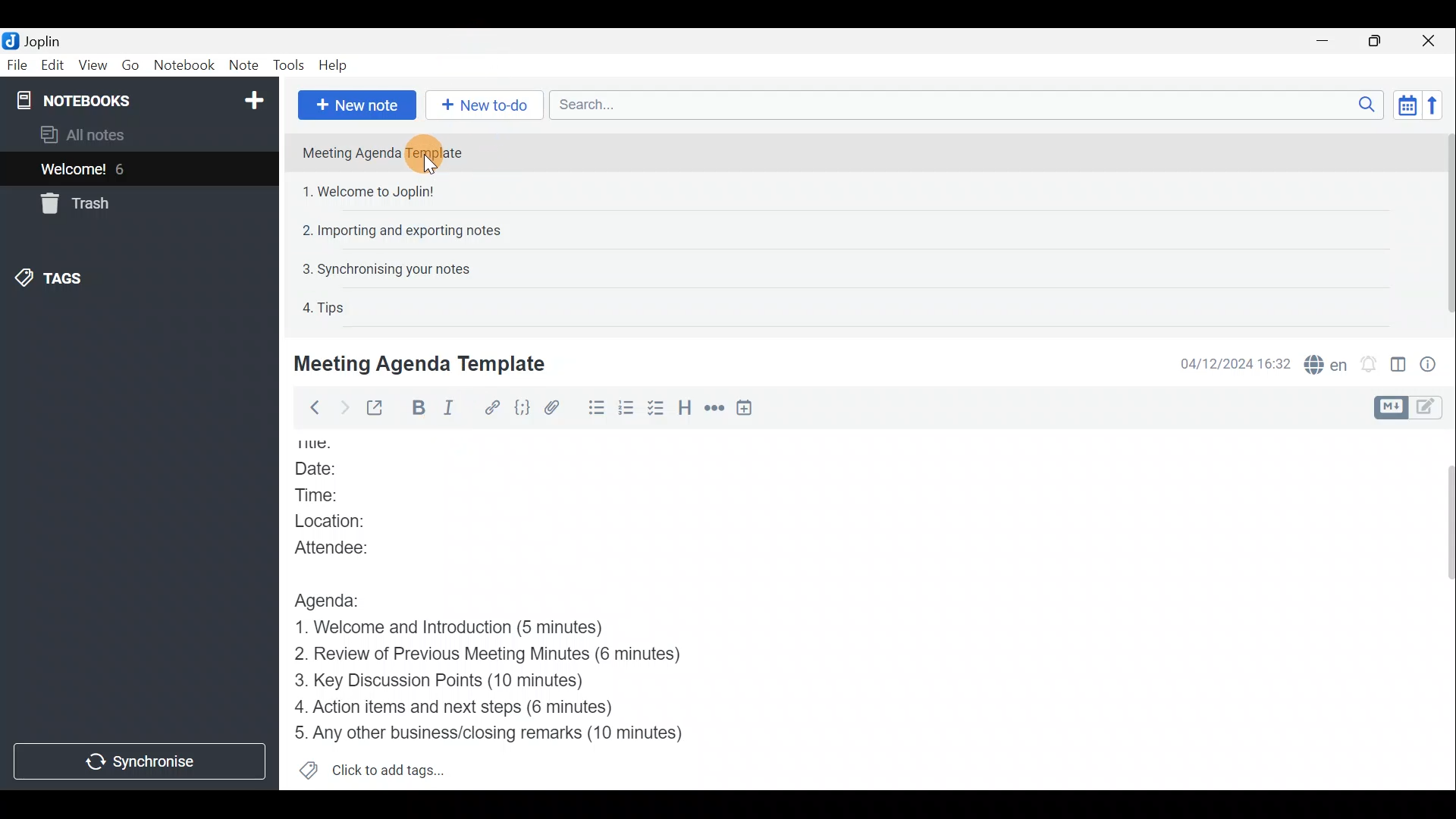 The image size is (1456, 819). What do you see at coordinates (379, 409) in the screenshot?
I see `Toggle external editing` at bounding box center [379, 409].